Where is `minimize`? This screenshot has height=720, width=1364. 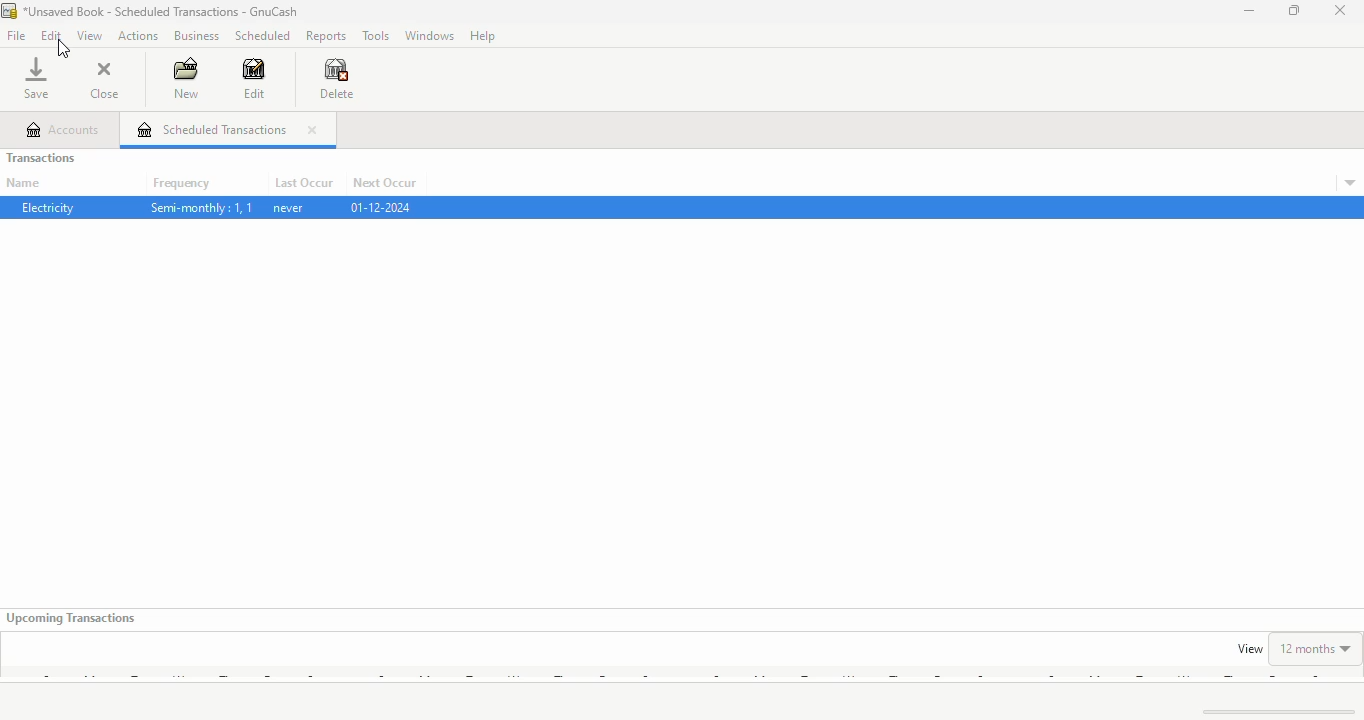
minimize is located at coordinates (1249, 10).